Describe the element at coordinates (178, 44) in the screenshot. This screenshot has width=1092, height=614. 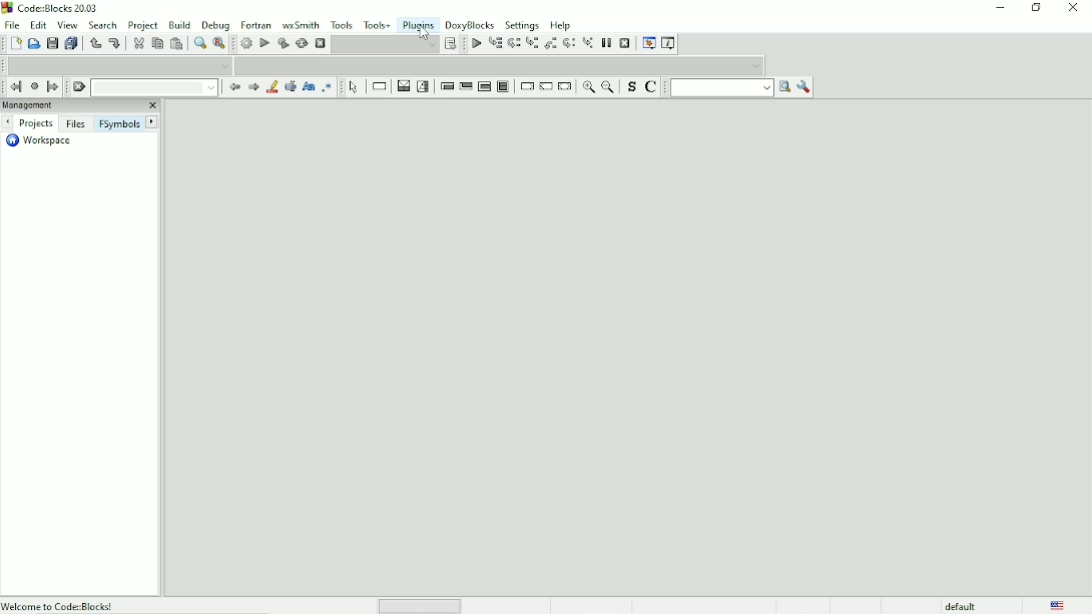
I see `Paste` at that location.